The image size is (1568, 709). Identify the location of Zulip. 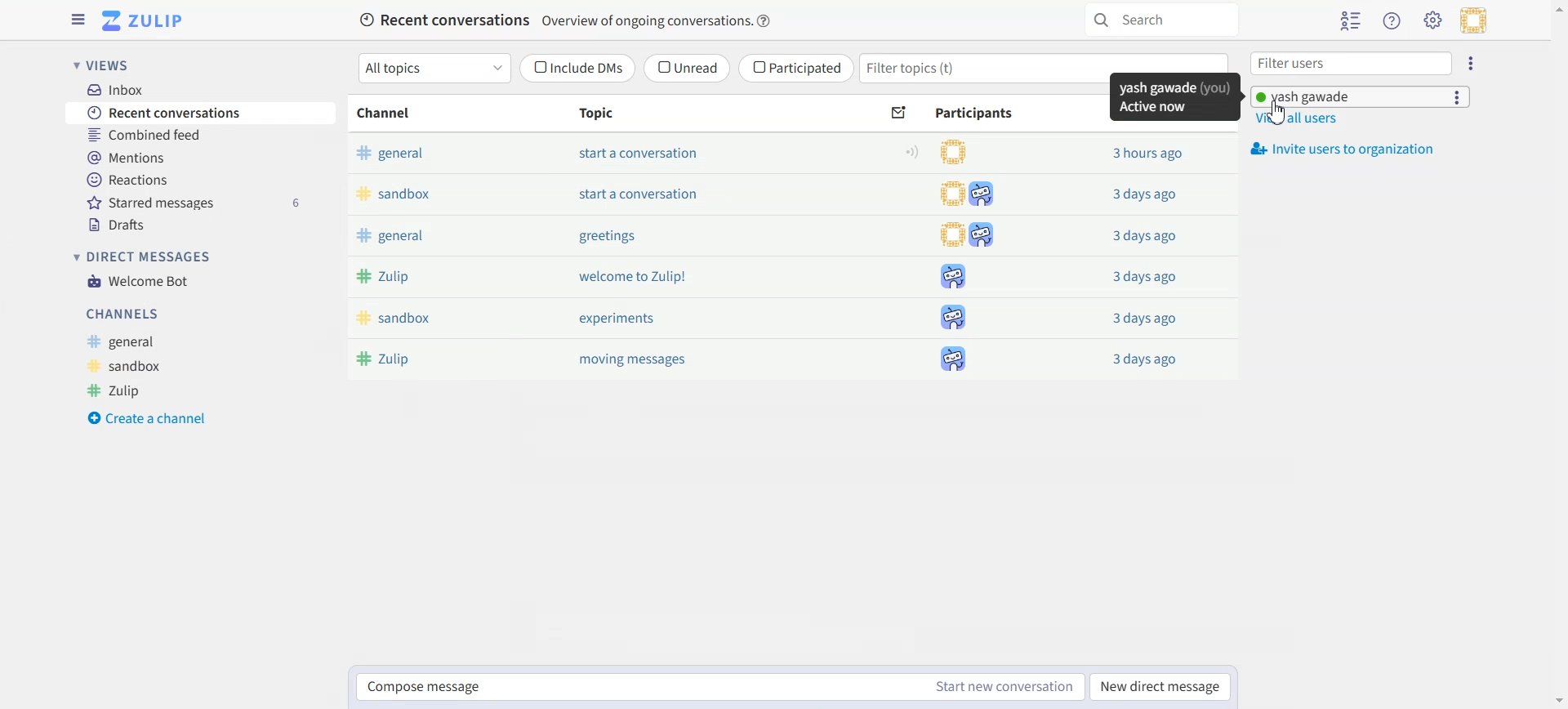
(394, 277).